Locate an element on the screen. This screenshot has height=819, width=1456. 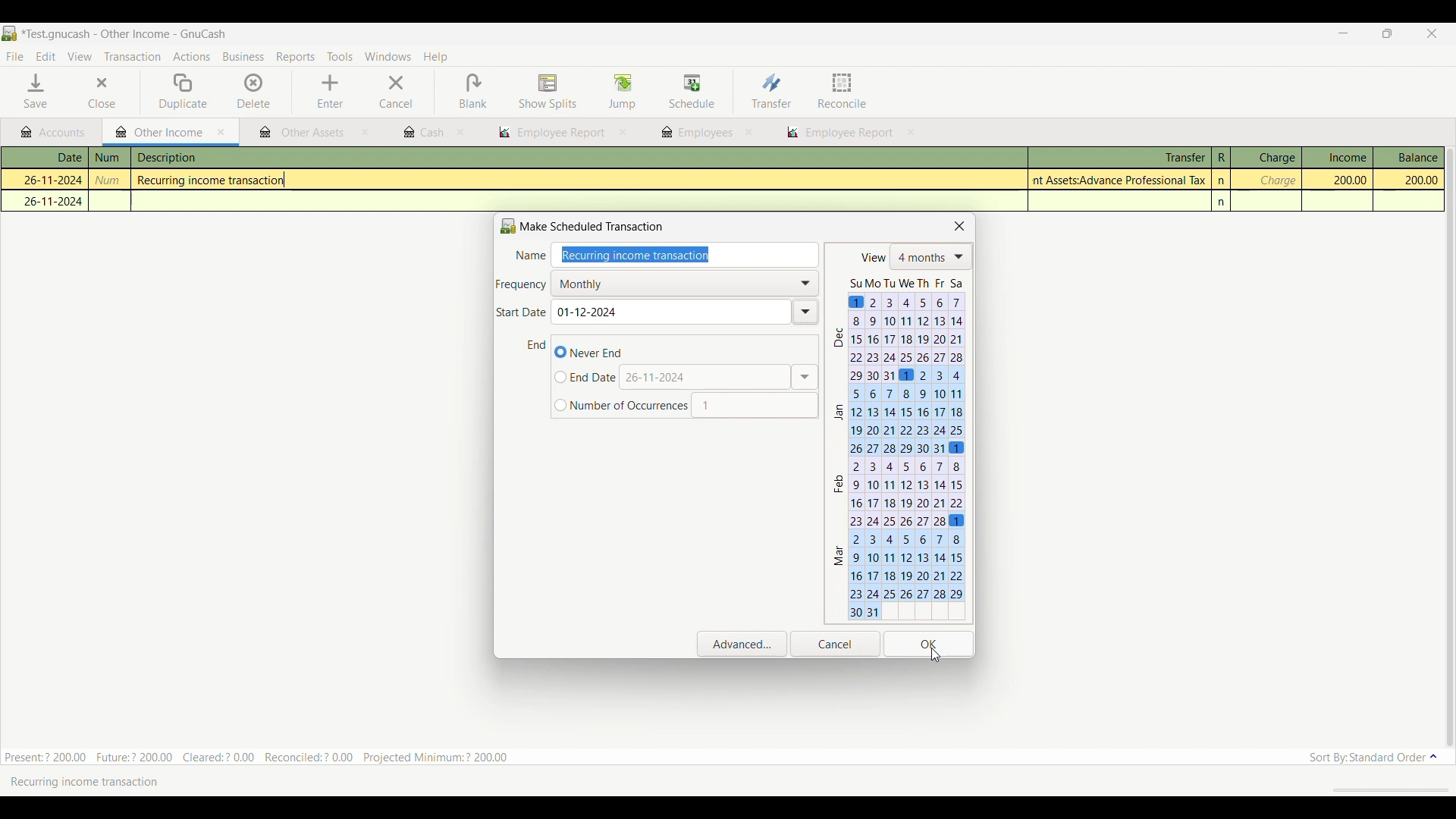
scroll is located at coordinates (1382, 789).